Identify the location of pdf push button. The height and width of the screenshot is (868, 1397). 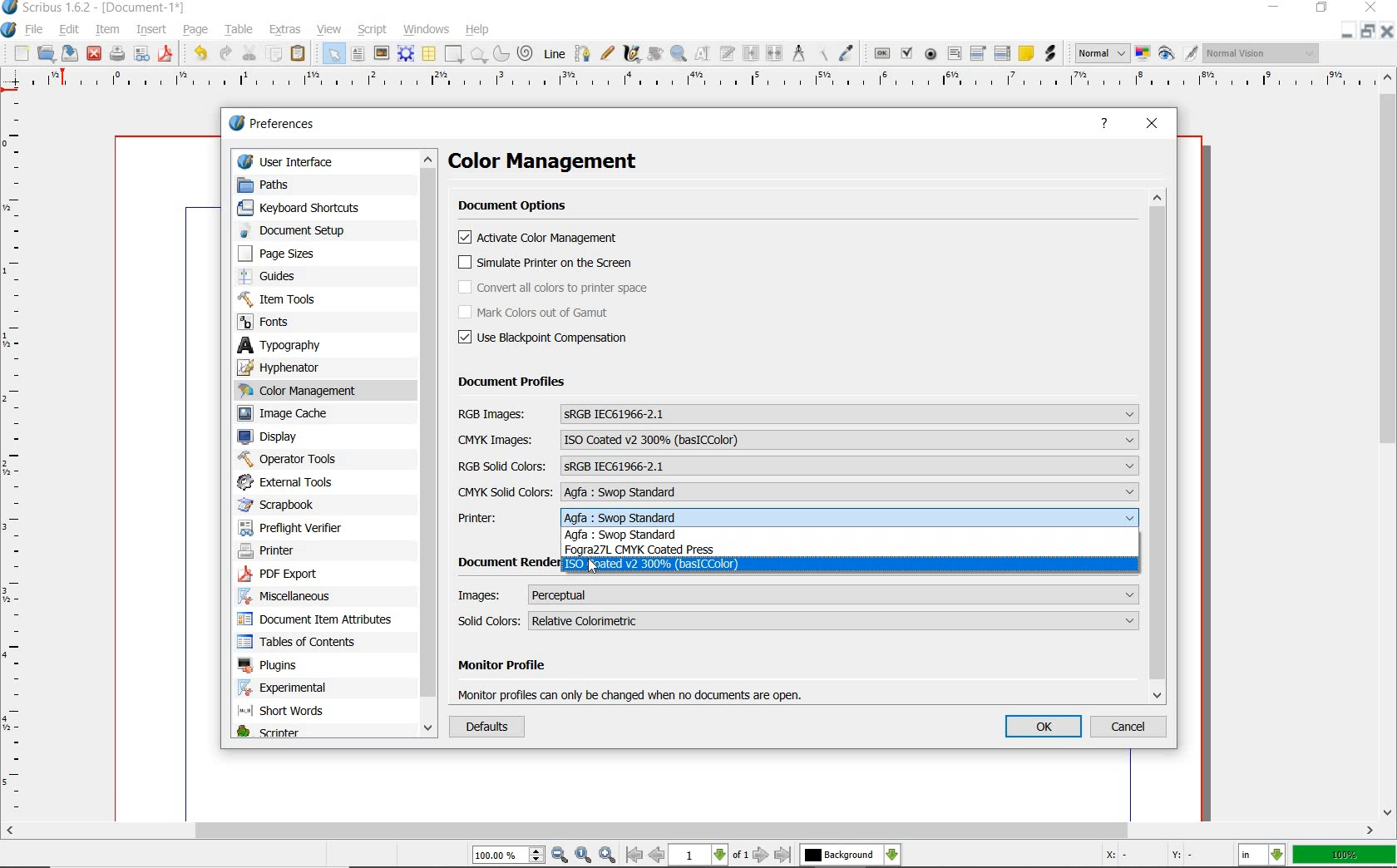
(881, 53).